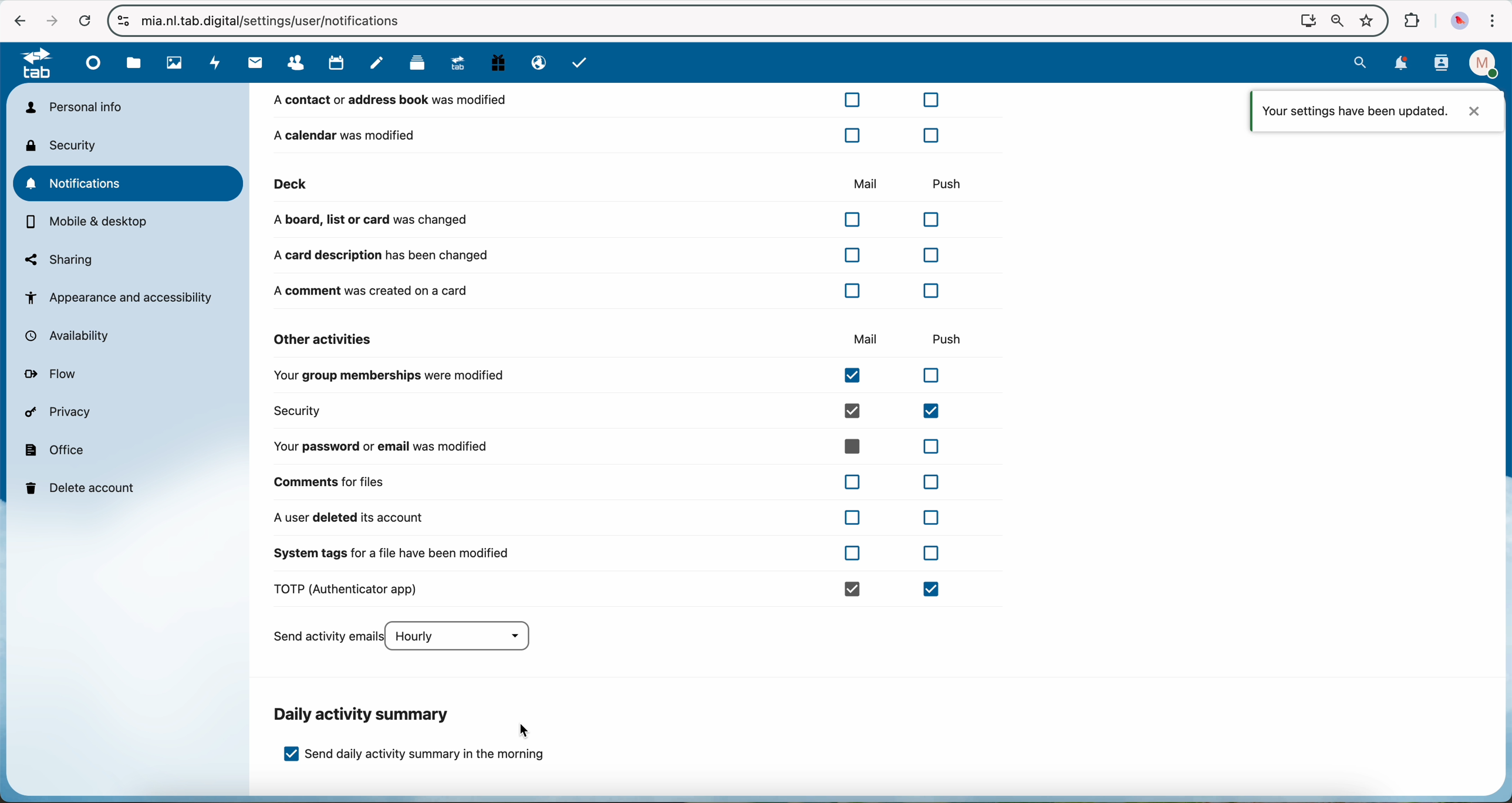 The image size is (1512, 803). I want to click on refresh the page, so click(84, 20).